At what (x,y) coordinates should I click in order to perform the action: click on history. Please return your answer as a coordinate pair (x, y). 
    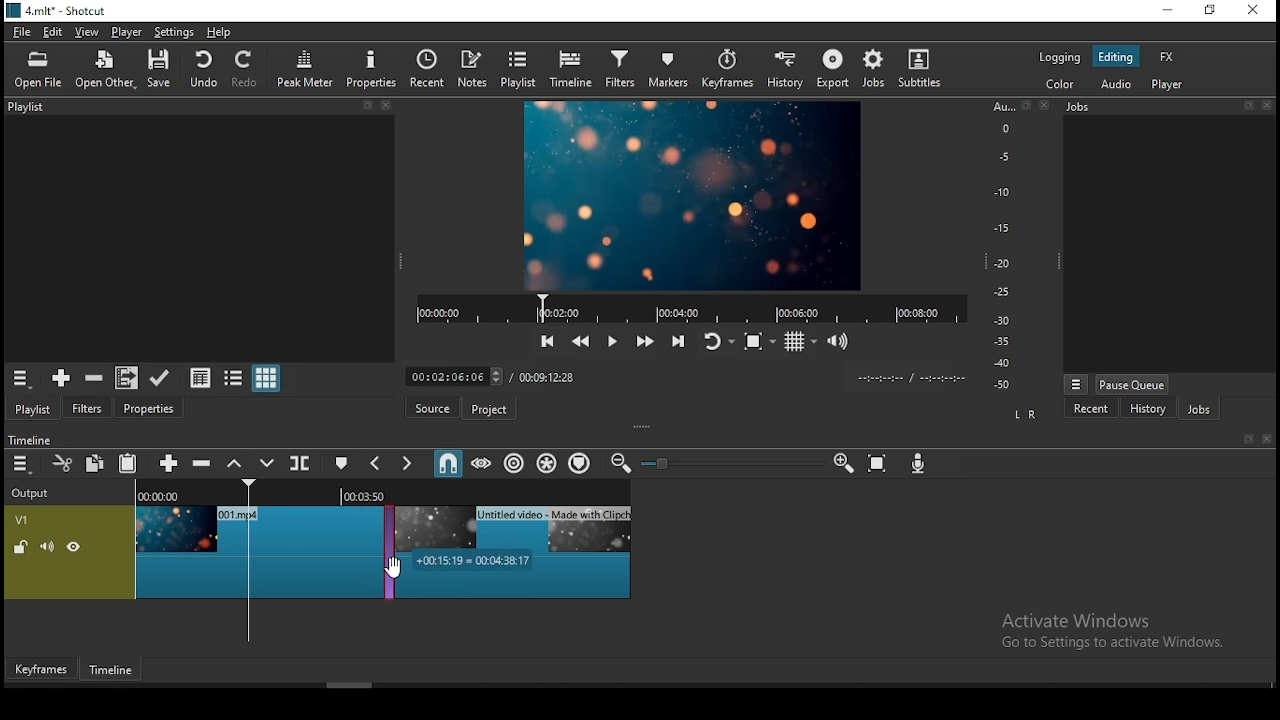
    Looking at the image, I should click on (1148, 408).